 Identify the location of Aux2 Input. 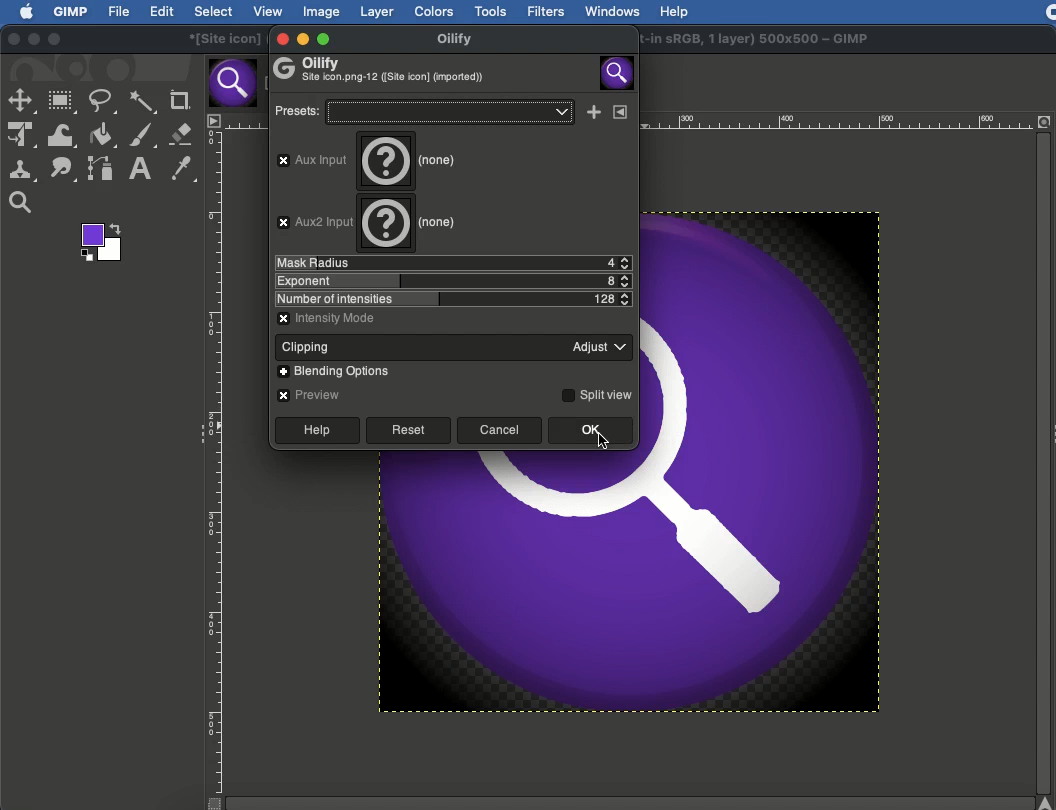
(313, 221).